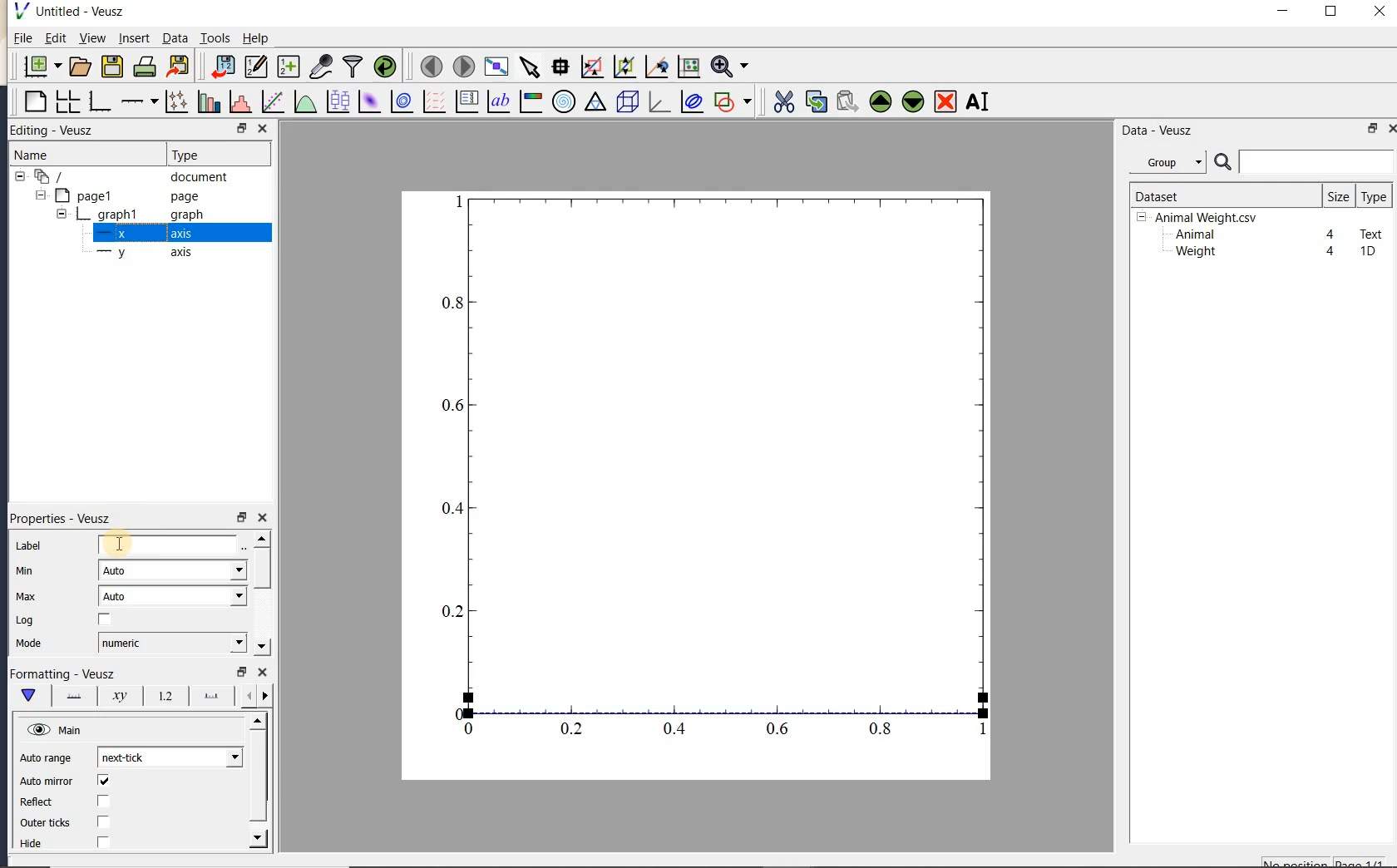  I want to click on polar graph, so click(563, 101).